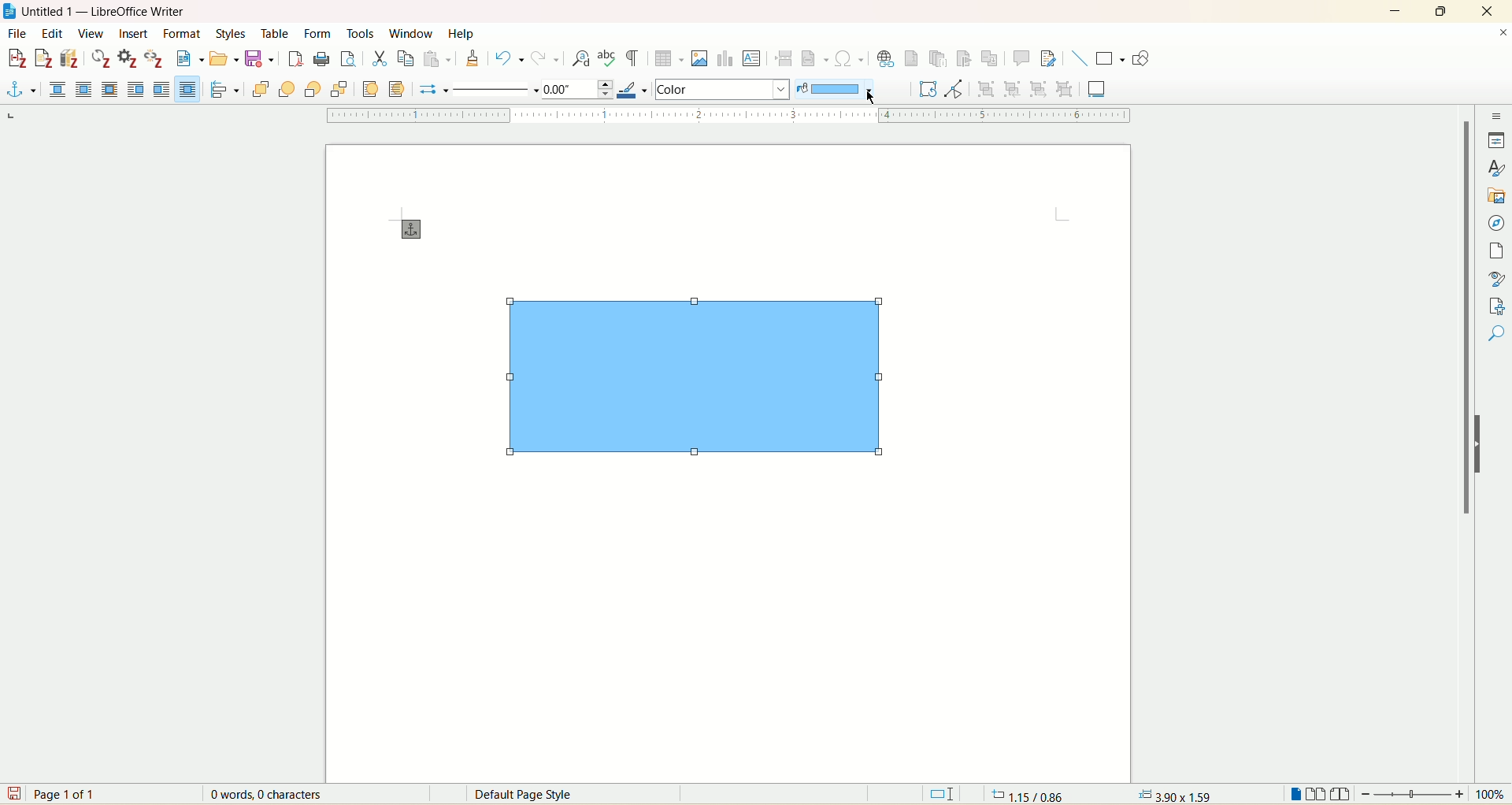  Describe the element at coordinates (183, 33) in the screenshot. I see `format` at that location.